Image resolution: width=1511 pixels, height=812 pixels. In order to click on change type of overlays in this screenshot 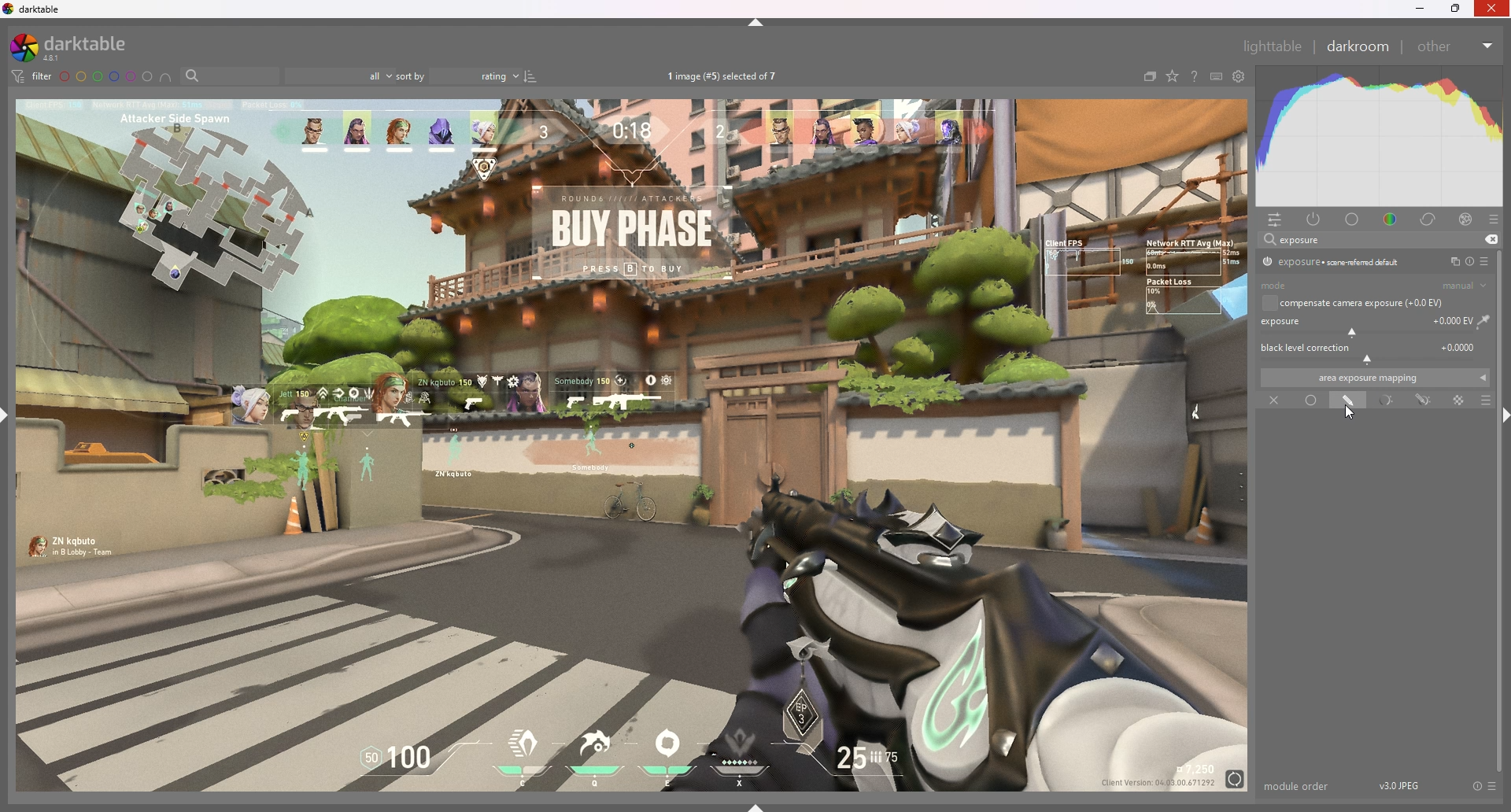, I will do `click(1173, 76)`.